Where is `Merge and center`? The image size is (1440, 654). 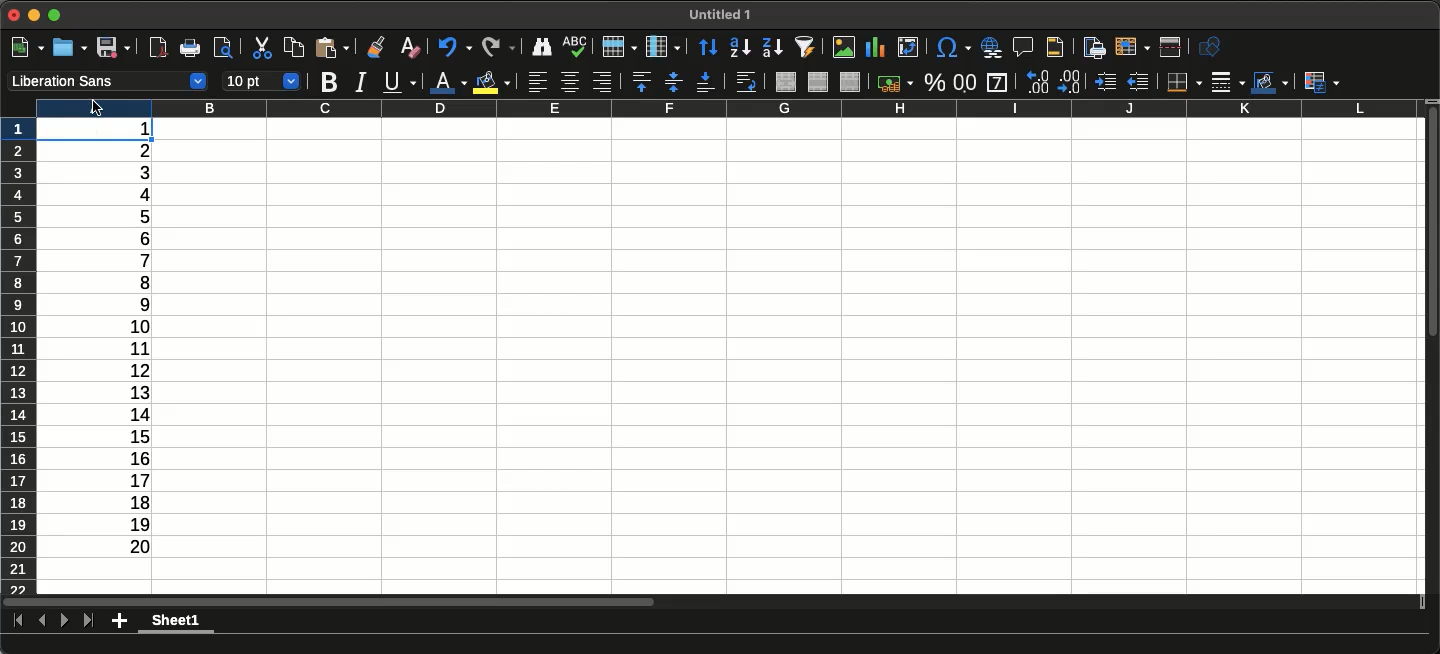 Merge and center is located at coordinates (786, 83).